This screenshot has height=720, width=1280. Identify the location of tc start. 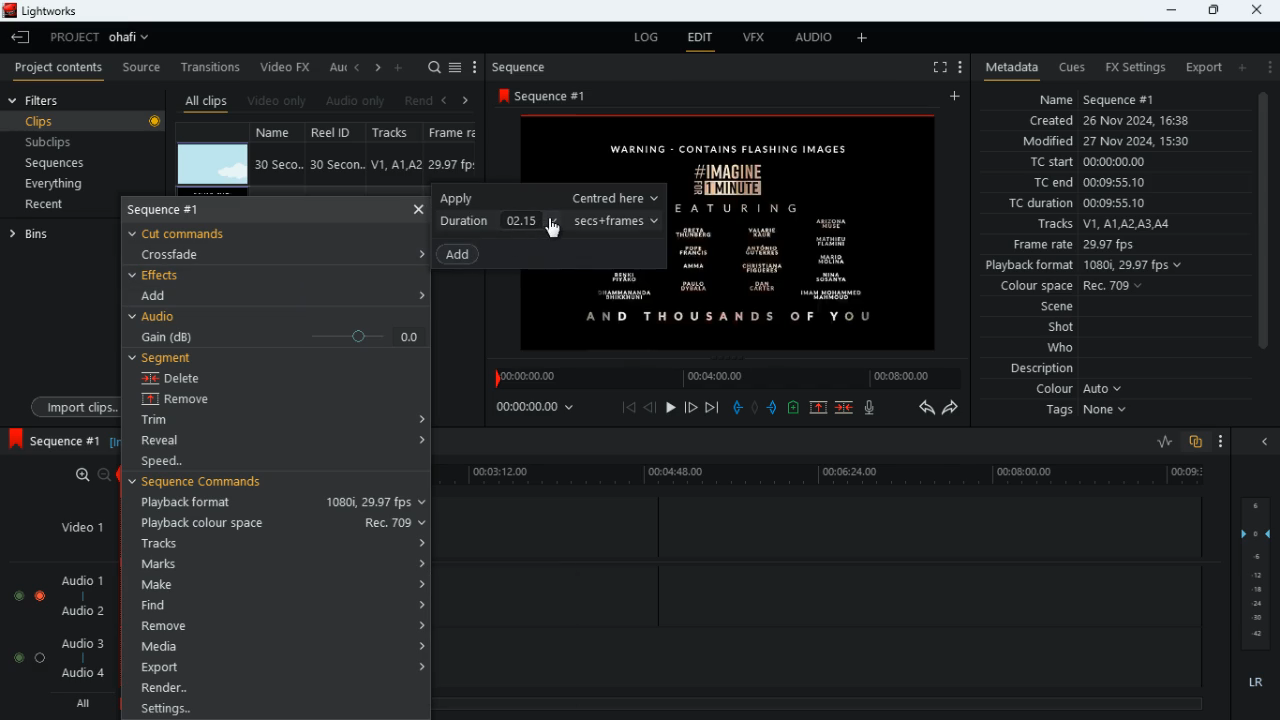
(1086, 163).